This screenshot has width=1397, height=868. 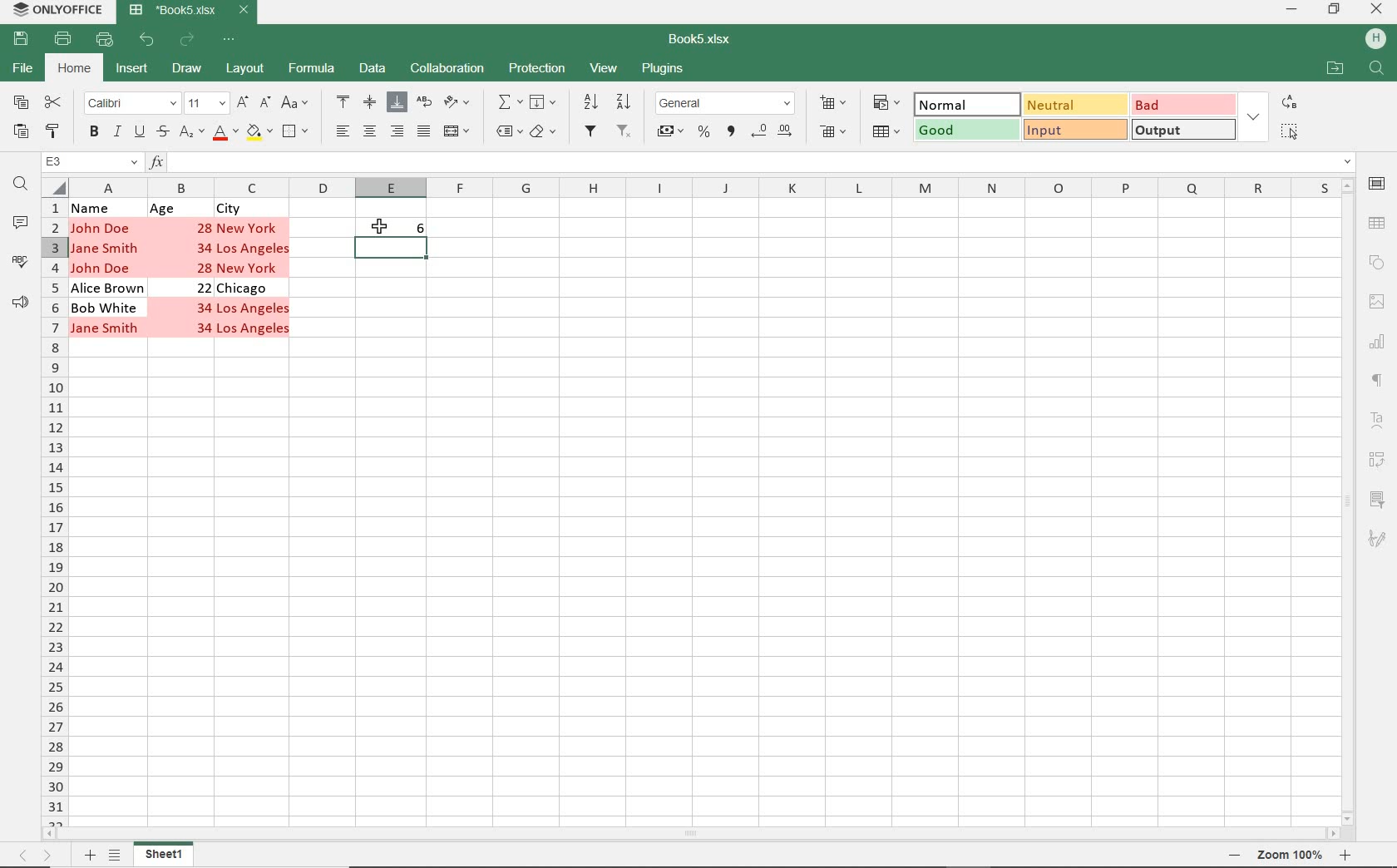 What do you see at coordinates (1378, 222) in the screenshot?
I see `Table` at bounding box center [1378, 222].